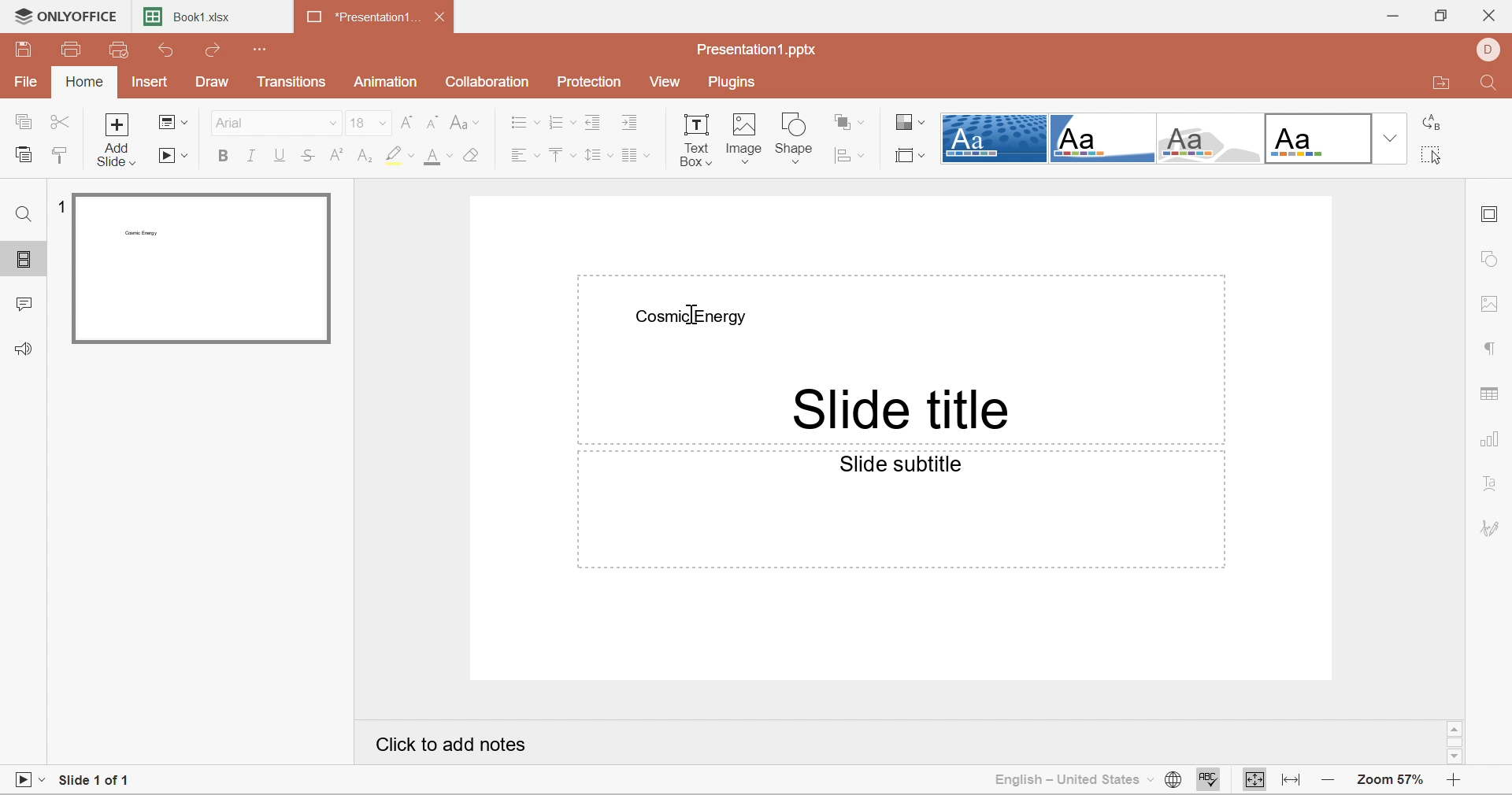 The width and height of the screenshot is (1512, 795). Describe the element at coordinates (669, 83) in the screenshot. I see `View` at that location.